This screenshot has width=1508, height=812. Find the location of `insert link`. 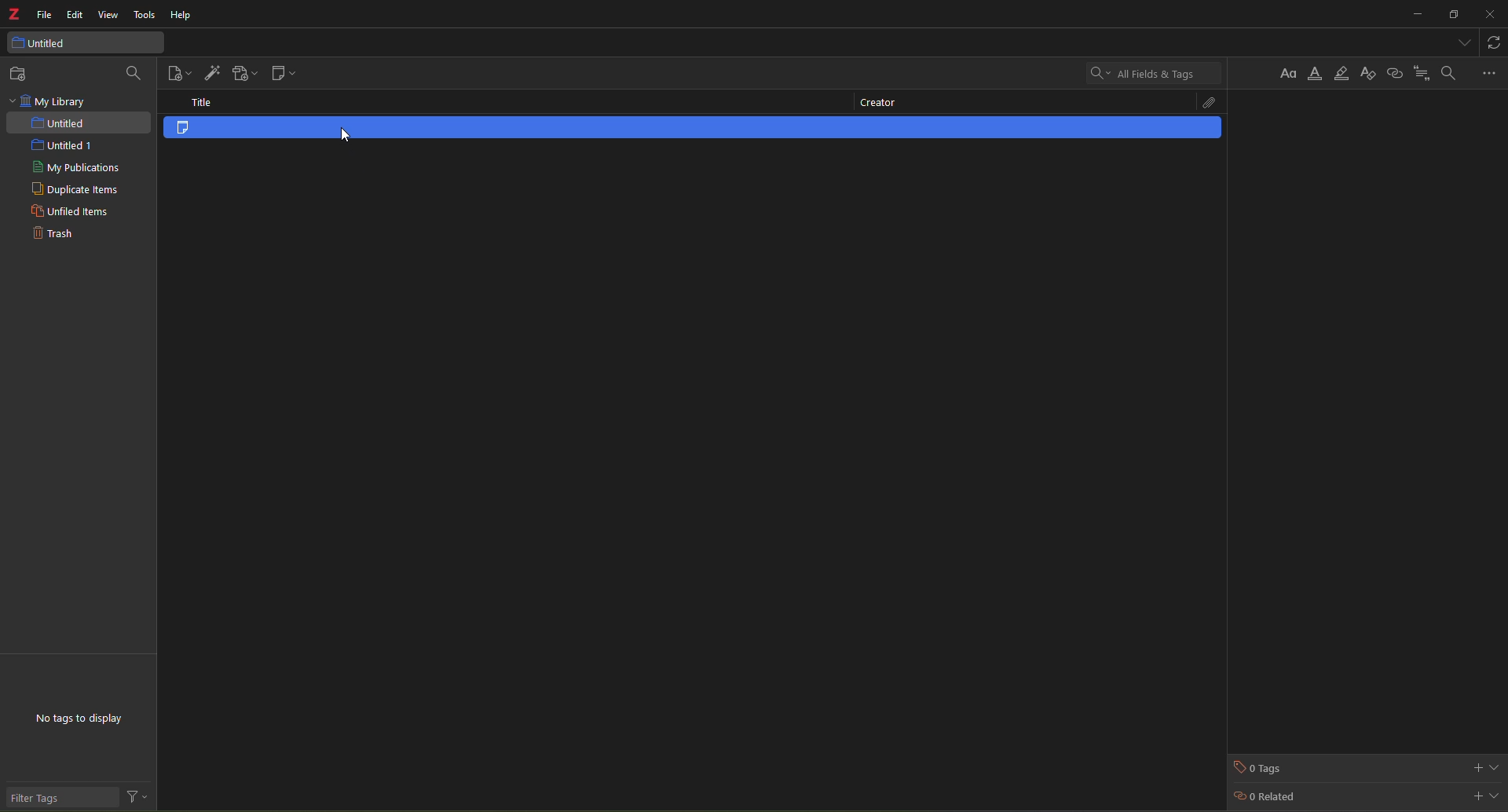

insert link is located at coordinates (1394, 73).